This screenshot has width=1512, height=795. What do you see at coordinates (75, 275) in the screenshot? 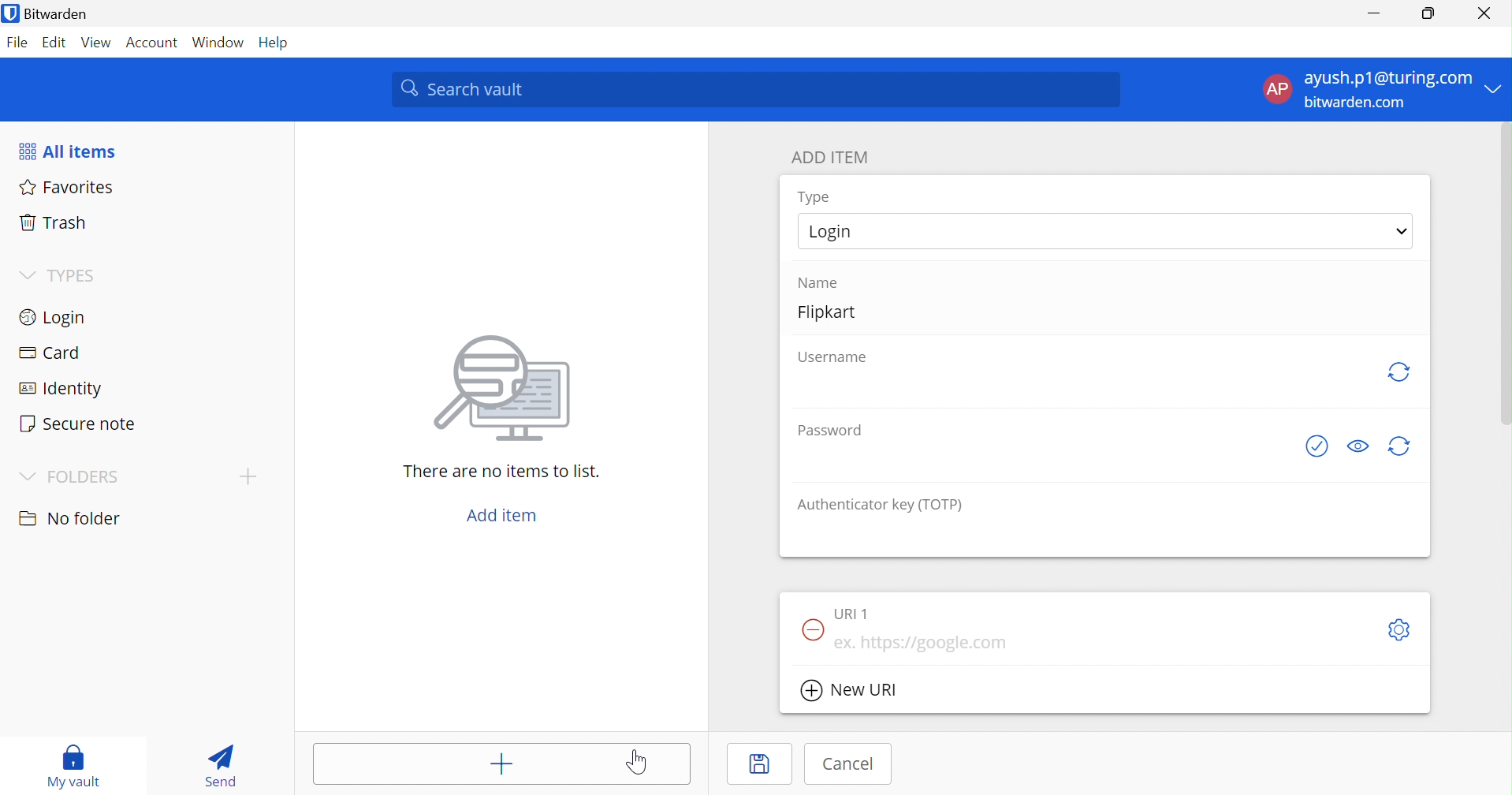
I see `TYPES` at bounding box center [75, 275].